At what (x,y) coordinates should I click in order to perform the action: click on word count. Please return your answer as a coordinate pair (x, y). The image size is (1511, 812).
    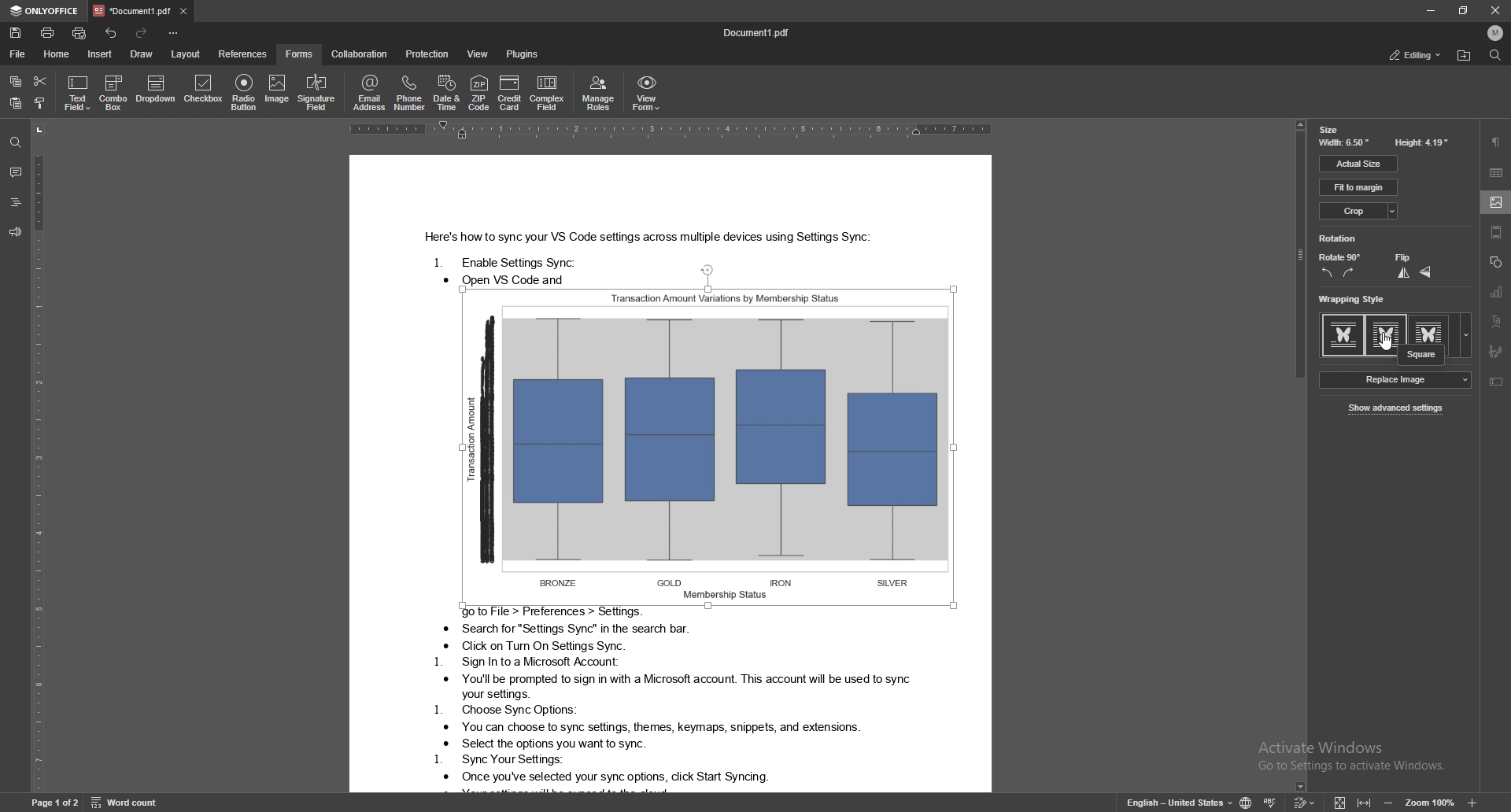
    Looking at the image, I should click on (125, 802).